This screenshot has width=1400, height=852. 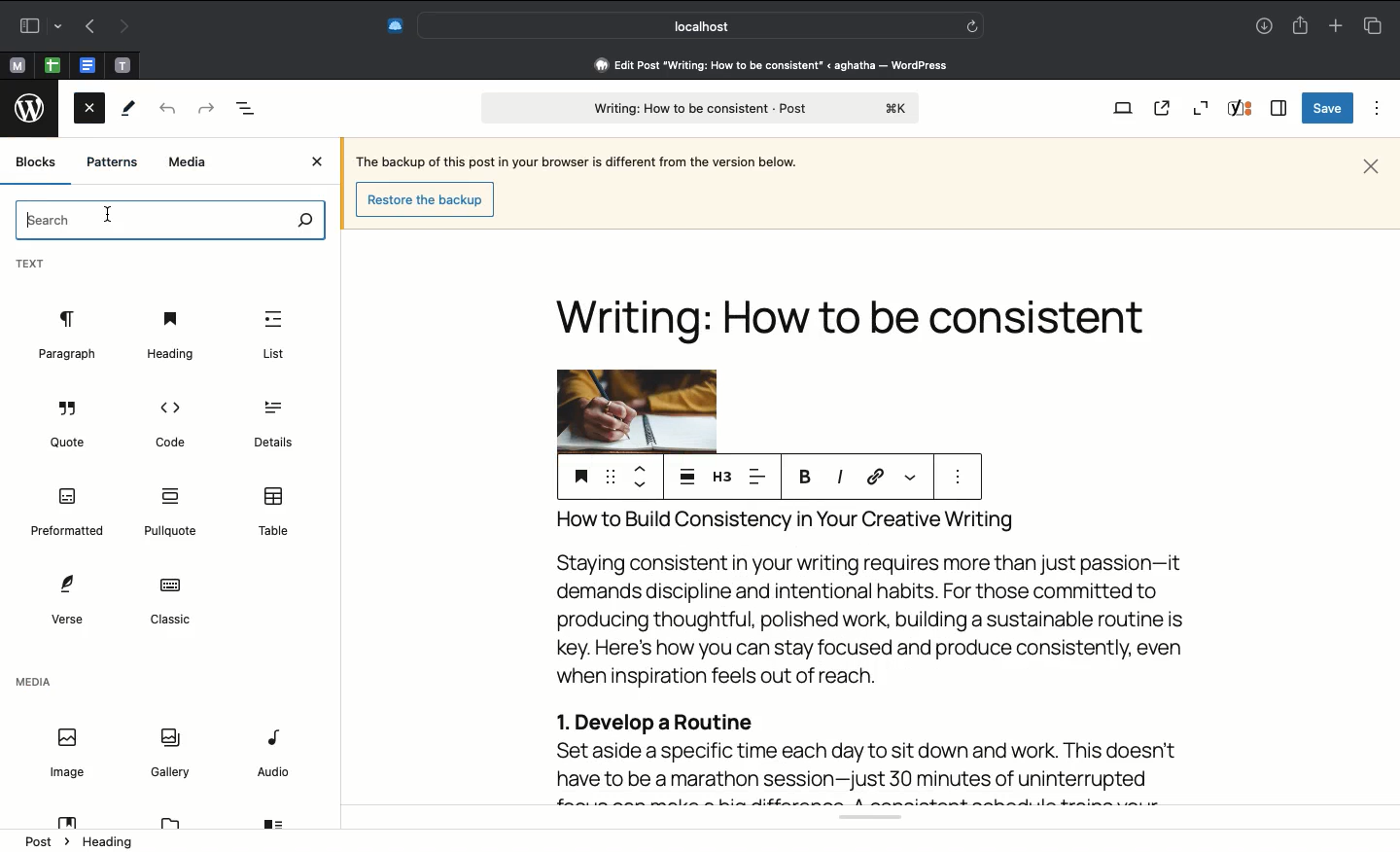 I want to click on Blocks, so click(x=37, y=161).